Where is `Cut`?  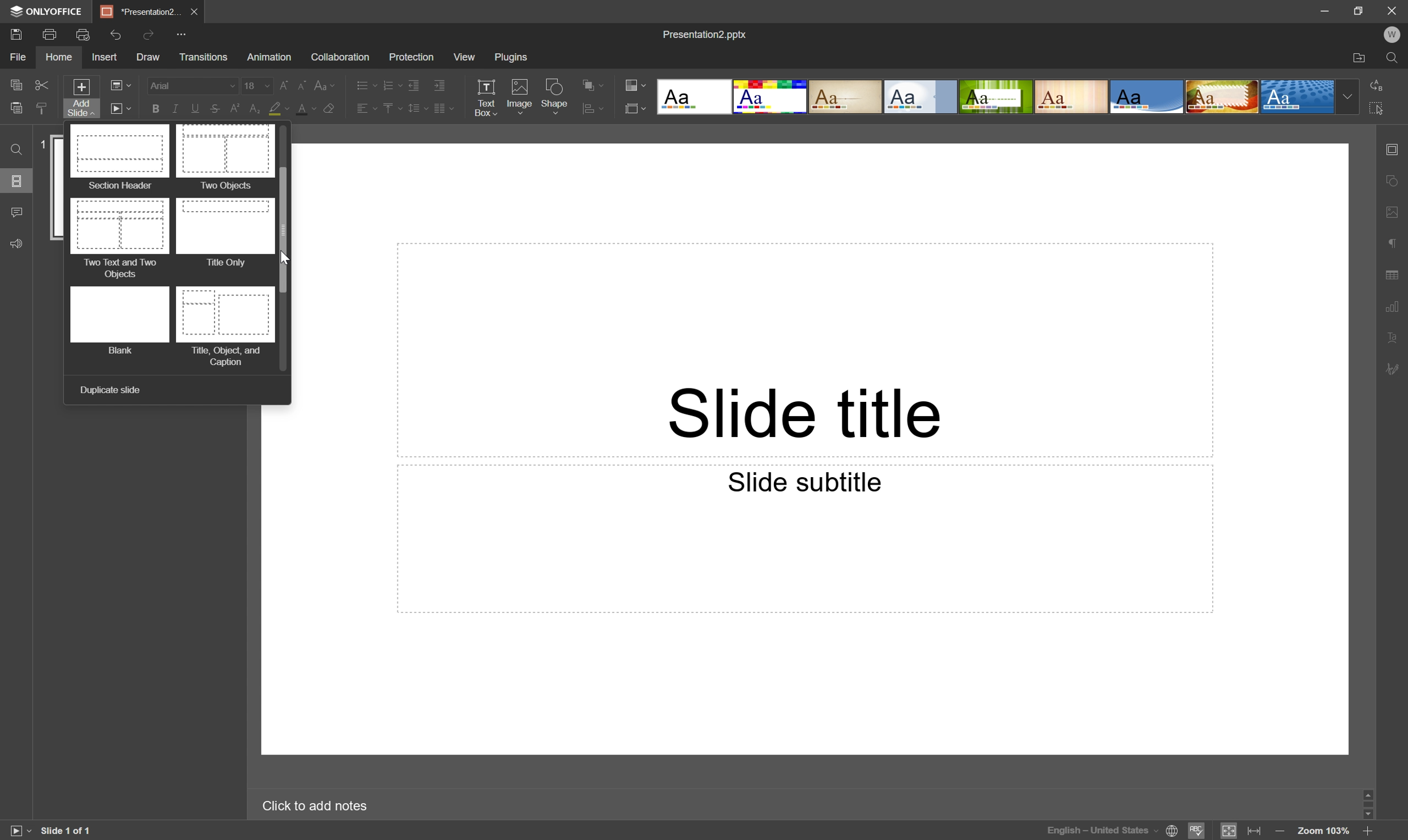 Cut is located at coordinates (42, 85).